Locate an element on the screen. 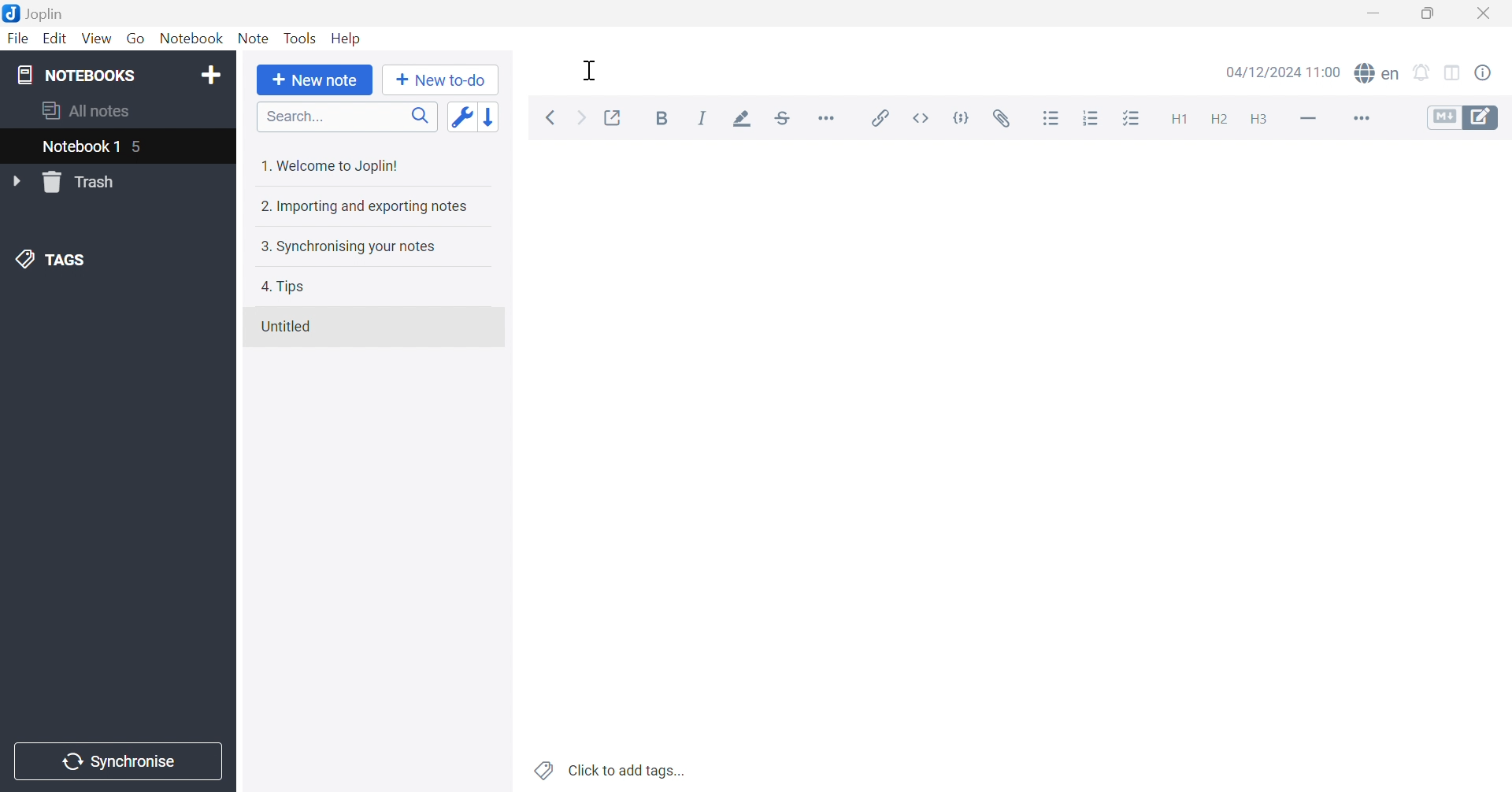 This screenshot has width=1512, height=792. Heading 2 is located at coordinates (1221, 121).